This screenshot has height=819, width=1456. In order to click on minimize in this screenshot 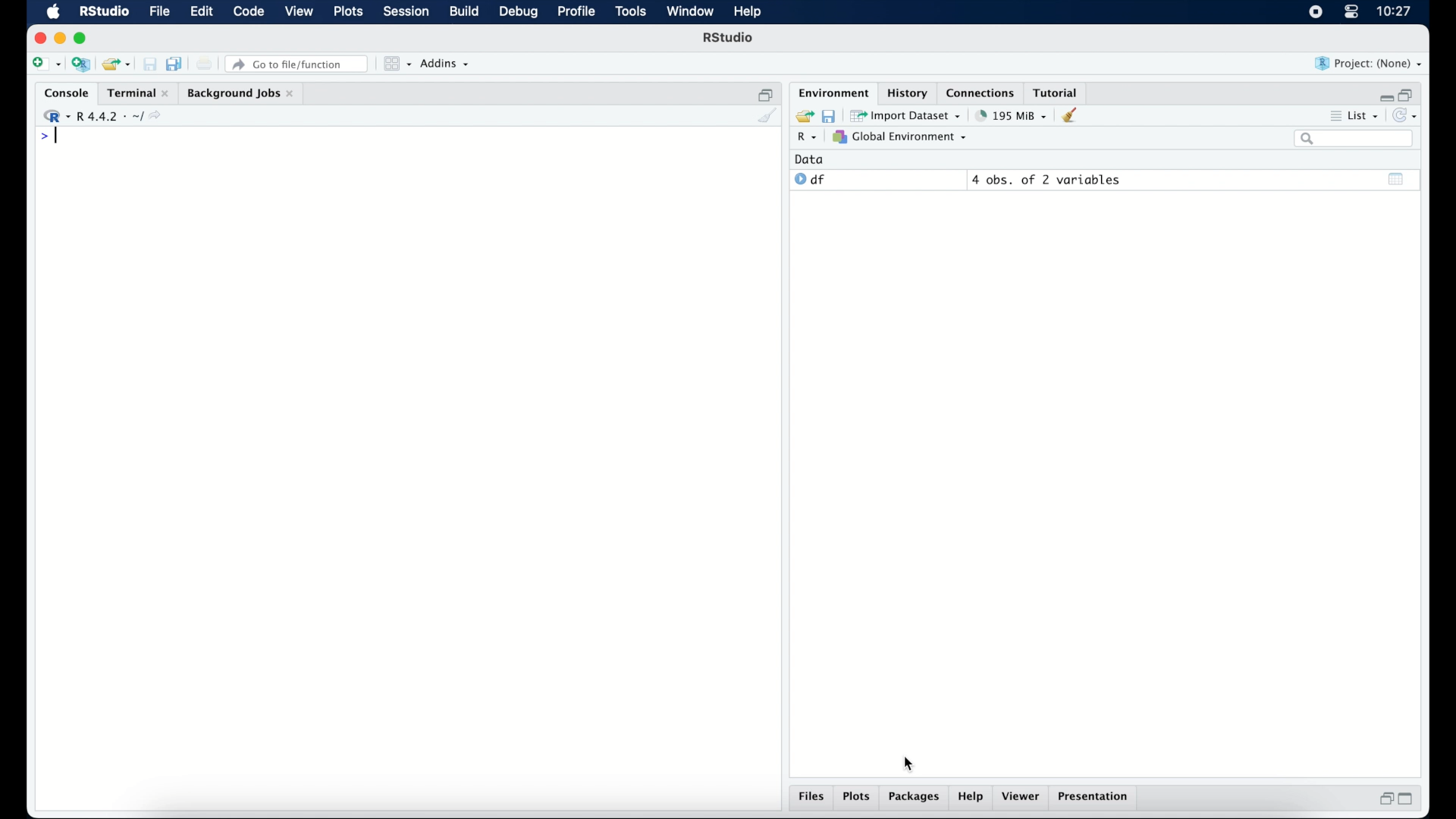, I will do `click(60, 38)`.